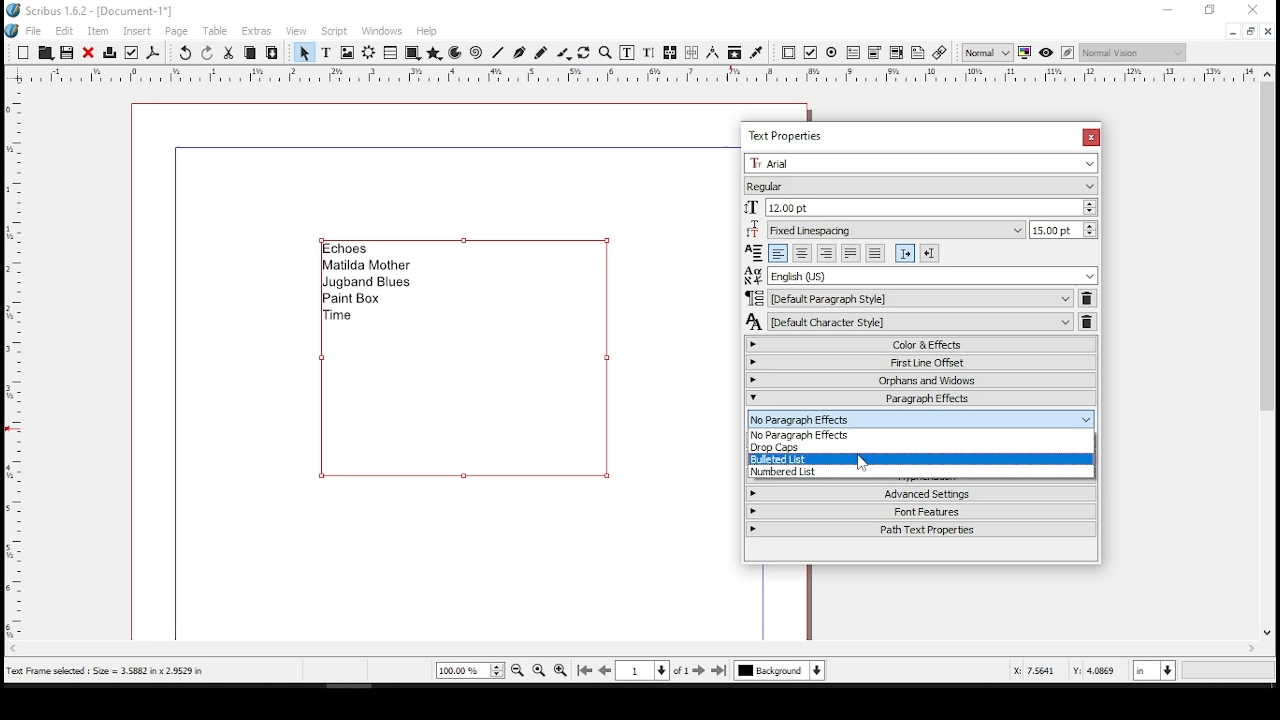 Image resolution: width=1280 pixels, height=720 pixels. I want to click on help, so click(426, 31).